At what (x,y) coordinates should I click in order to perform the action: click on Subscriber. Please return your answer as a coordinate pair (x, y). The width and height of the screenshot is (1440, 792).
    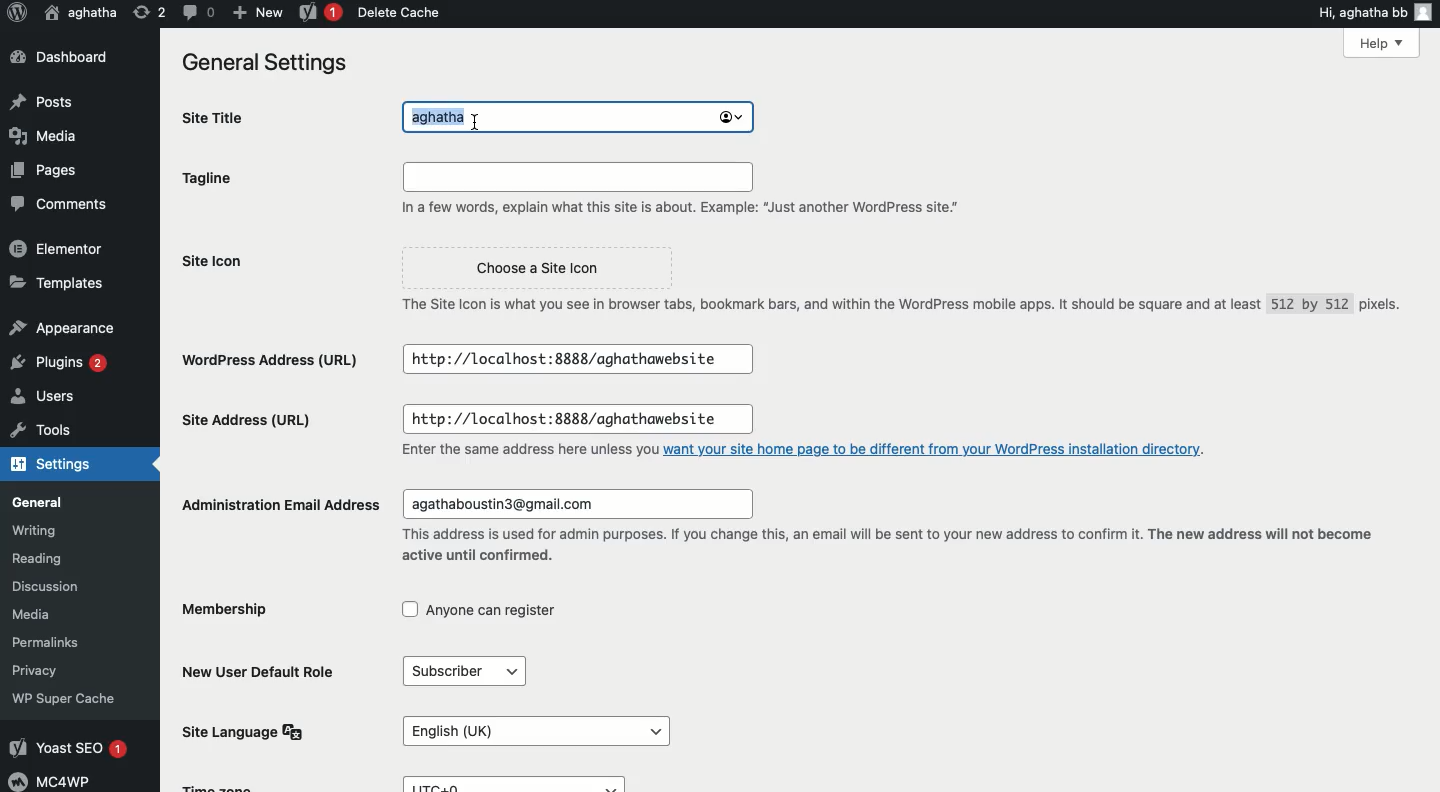
    Looking at the image, I should click on (467, 671).